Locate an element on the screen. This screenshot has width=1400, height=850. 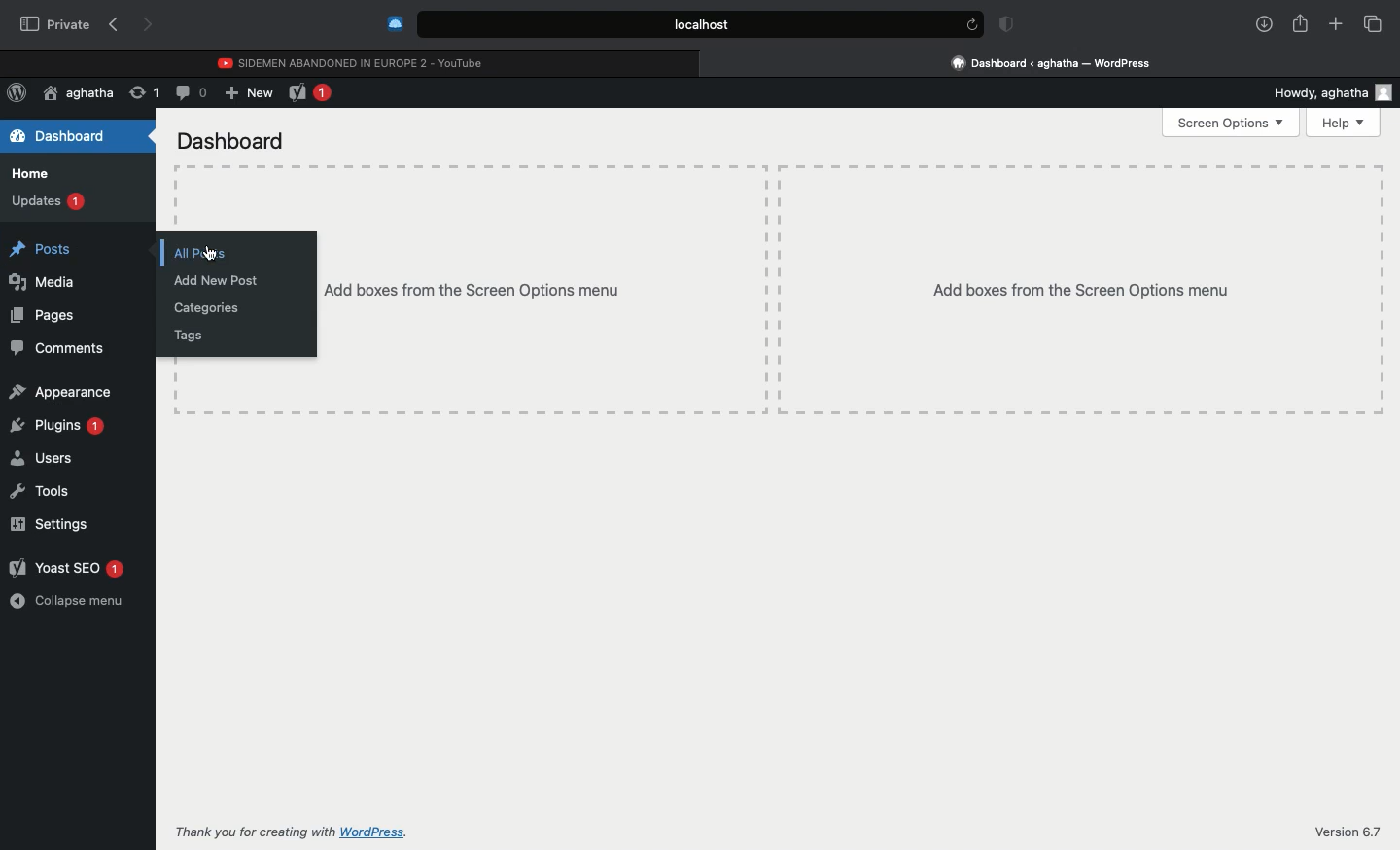
Settings is located at coordinates (51, 522).